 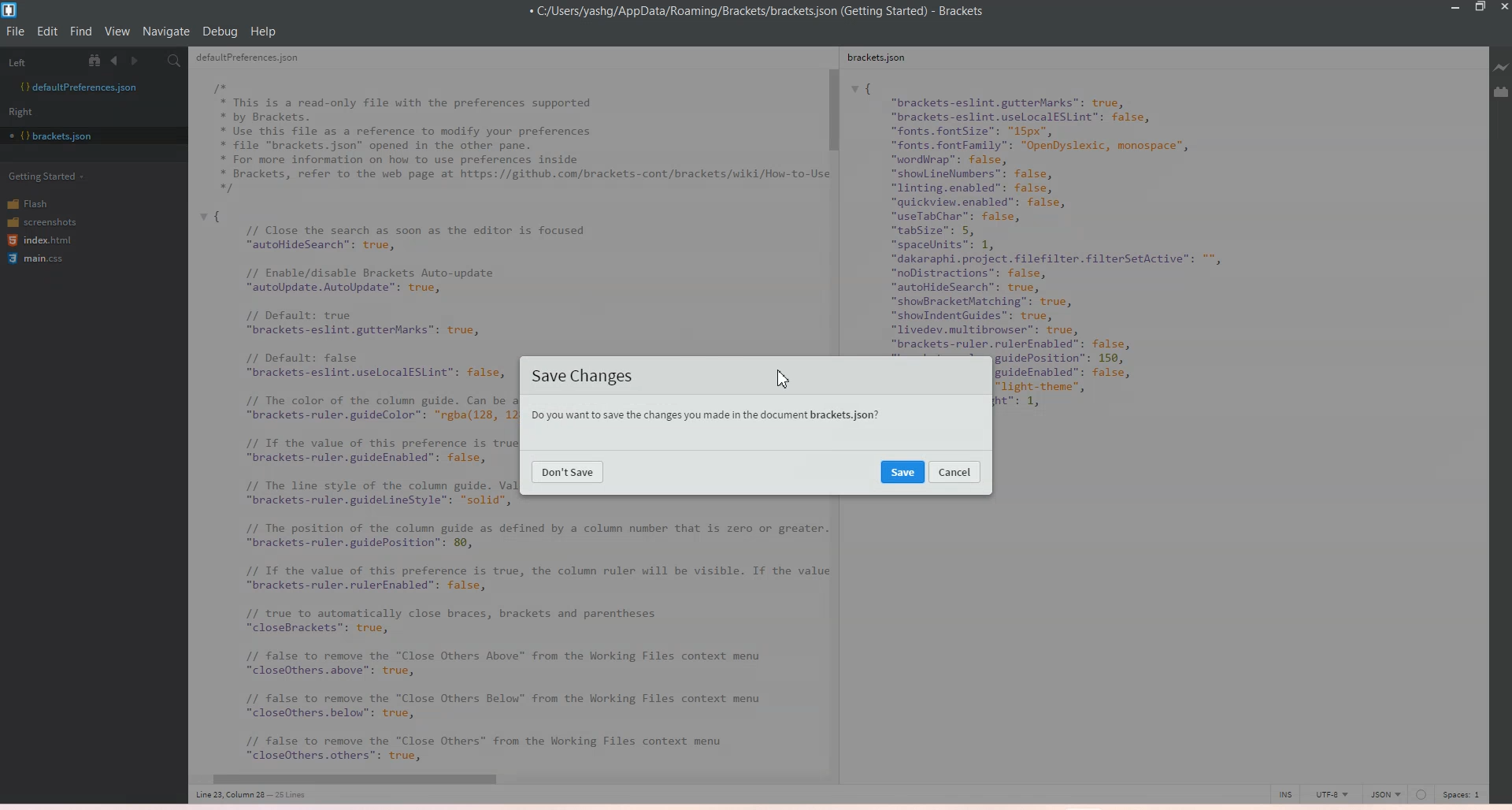 I want to click on Screenshots, so click(x=42, y=221).